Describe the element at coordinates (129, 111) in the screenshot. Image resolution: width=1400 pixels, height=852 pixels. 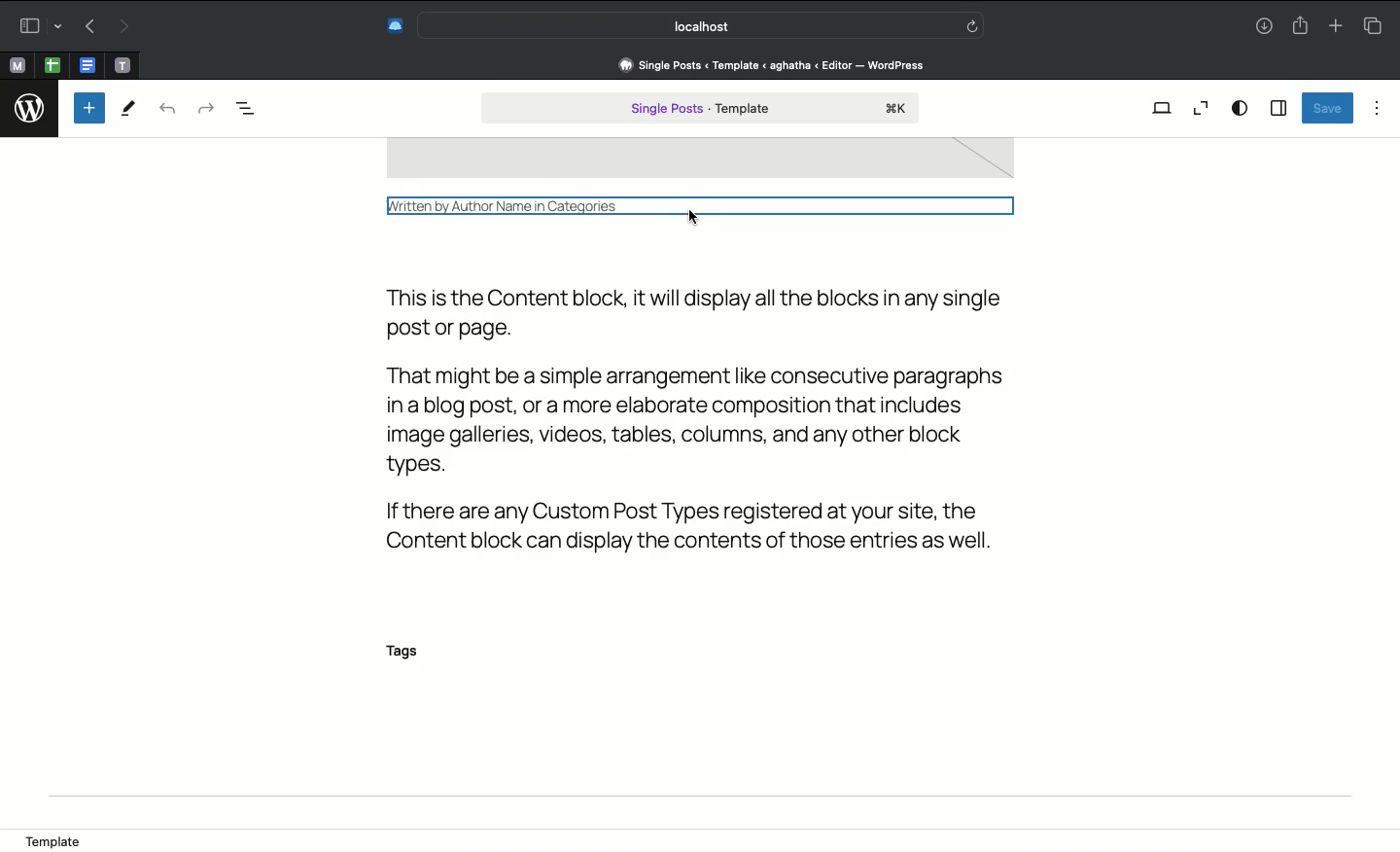
I see `Tools` at that location.